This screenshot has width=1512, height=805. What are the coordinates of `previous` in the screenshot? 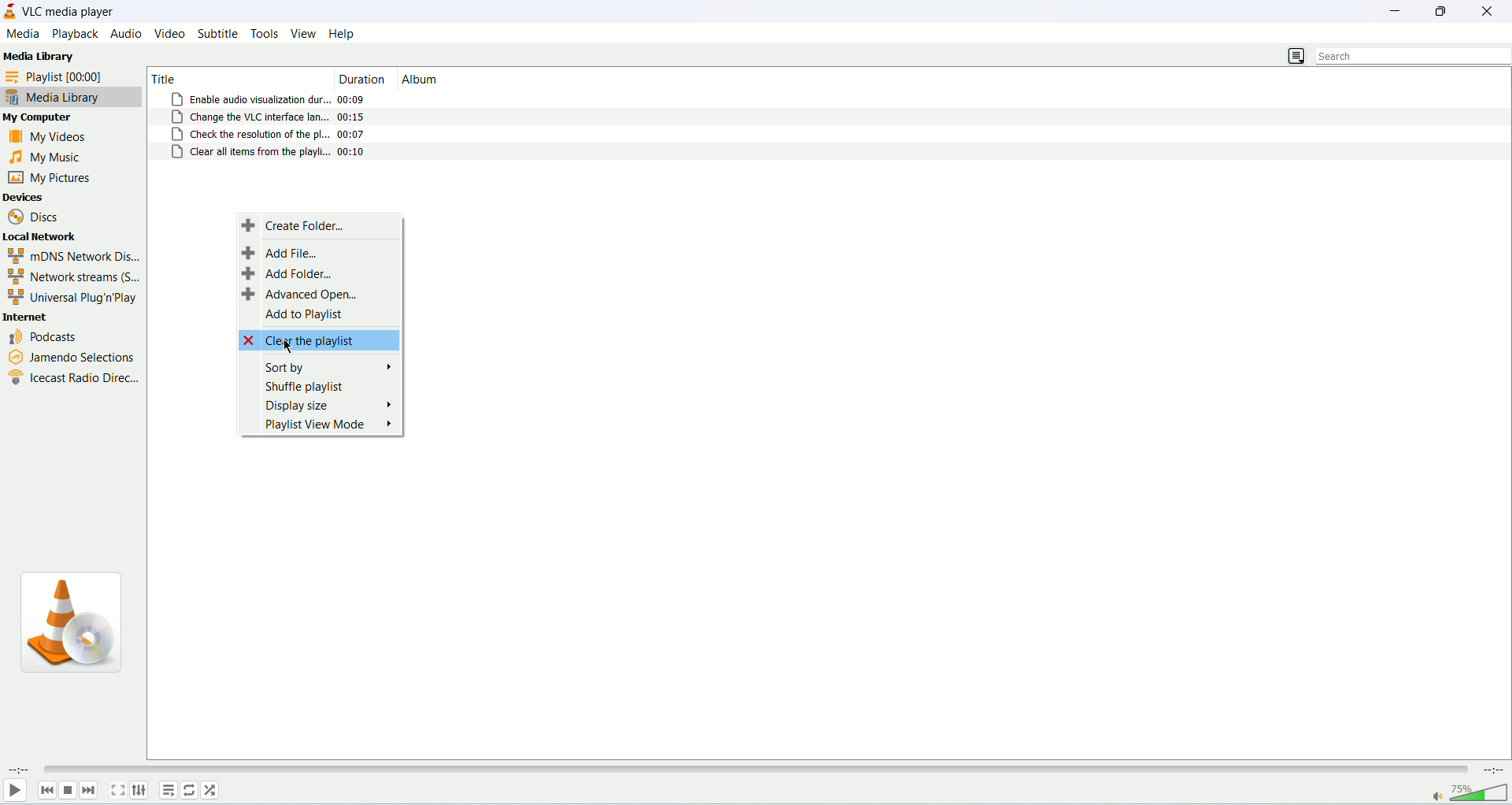 It's located at (45, 791).